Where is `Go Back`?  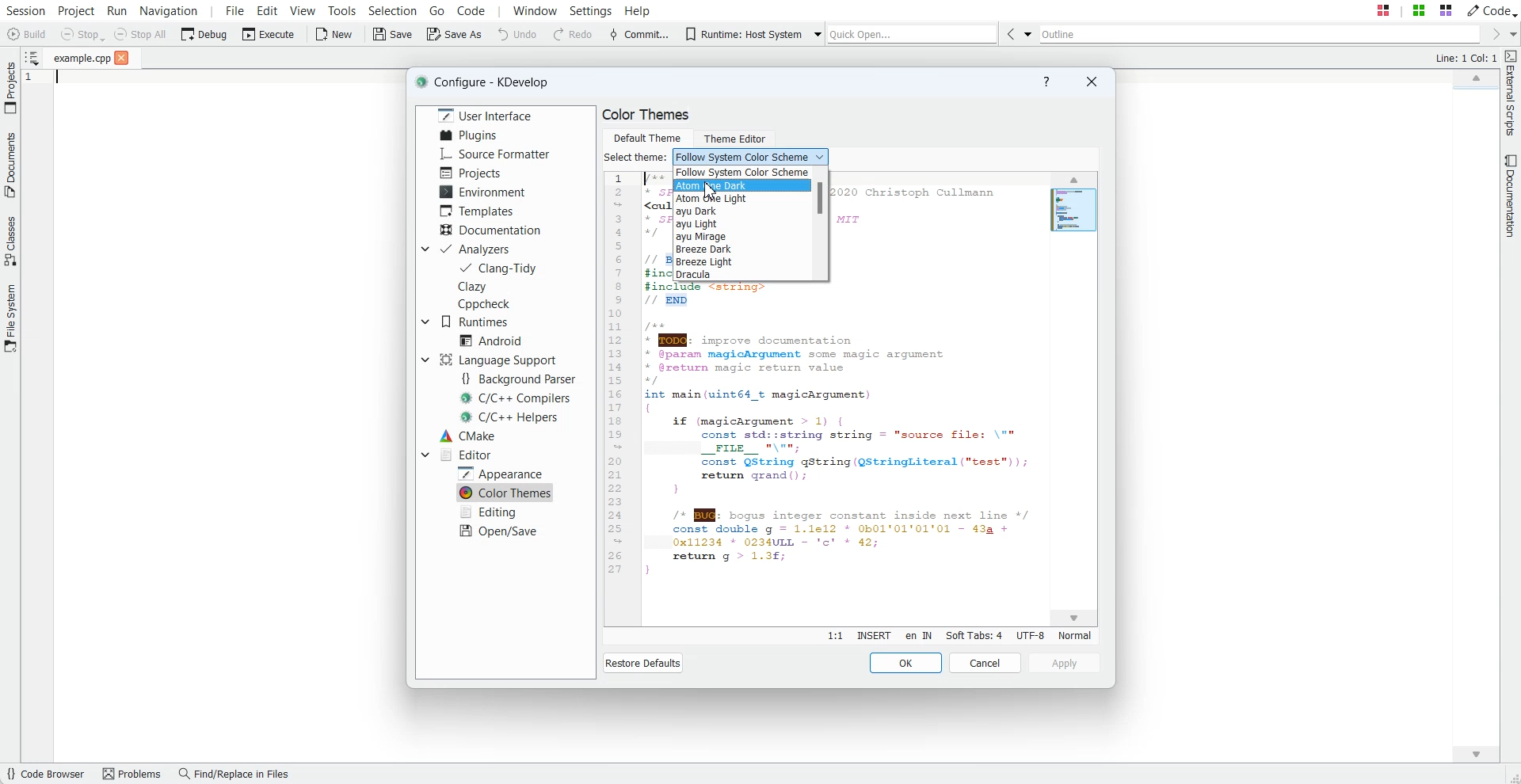
Go Back is located at coordinates (1008, 33).